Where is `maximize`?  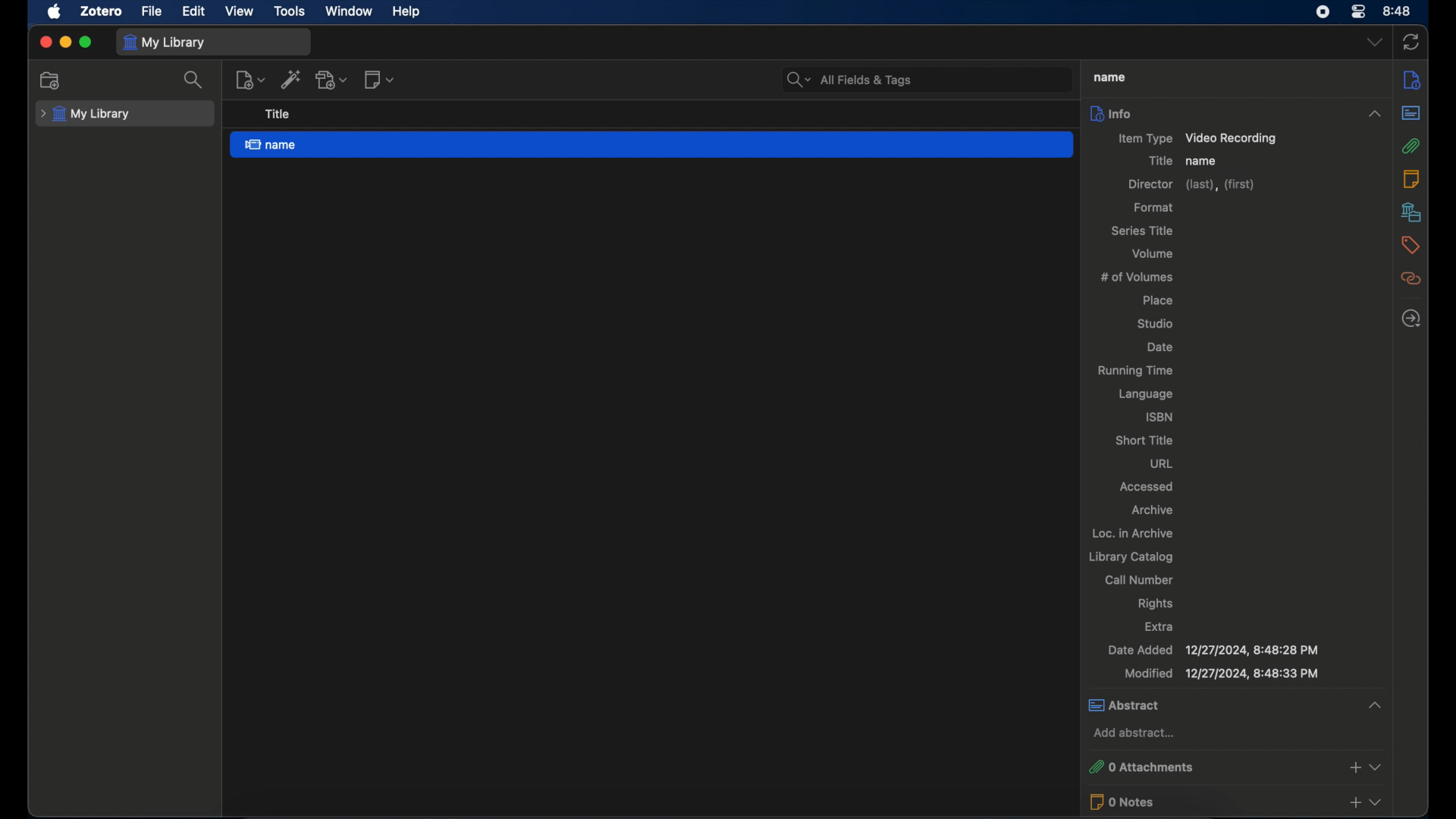
maximize is located at coordinates (86, 42).